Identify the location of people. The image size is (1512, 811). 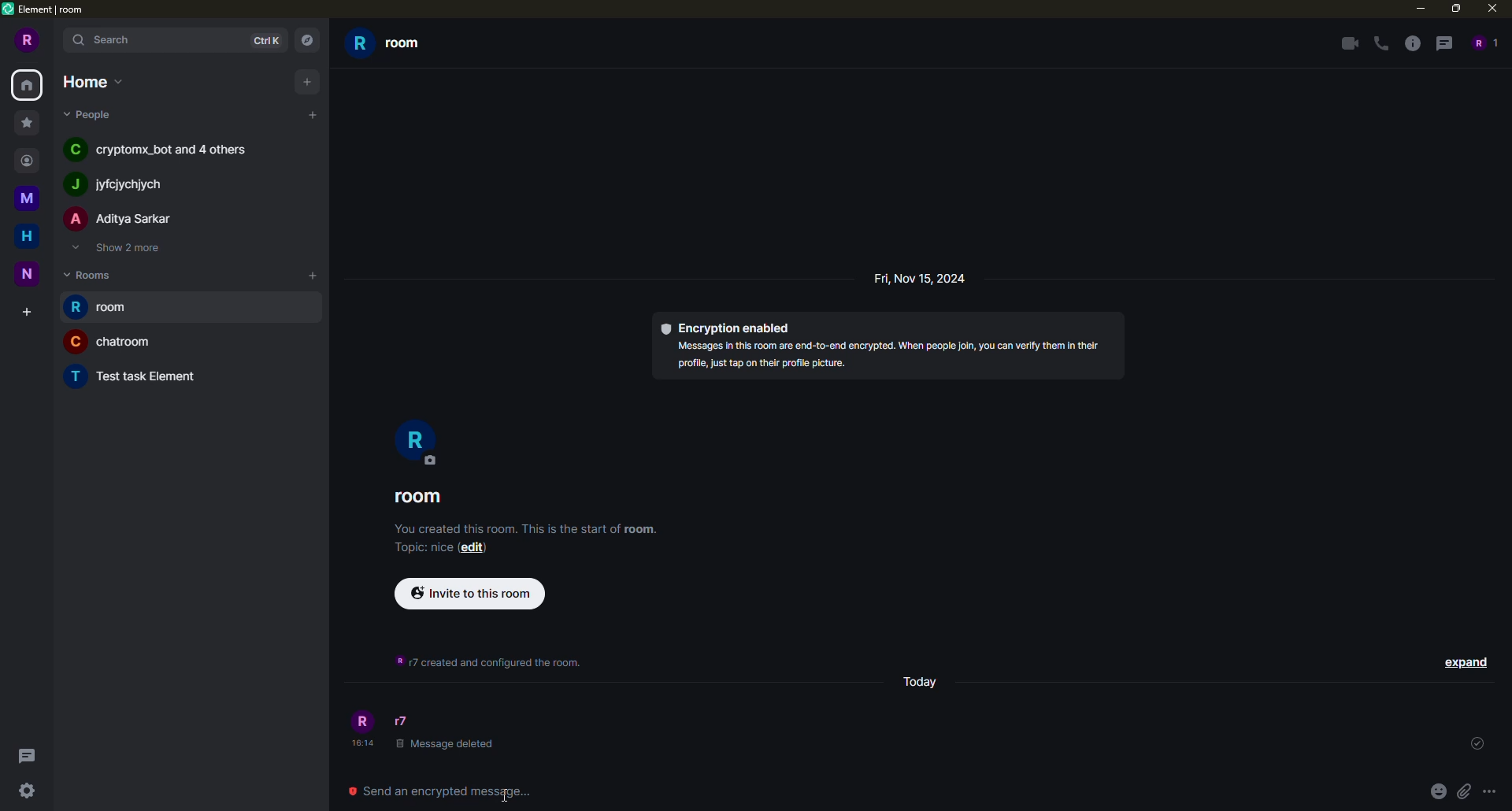
(92, 115).